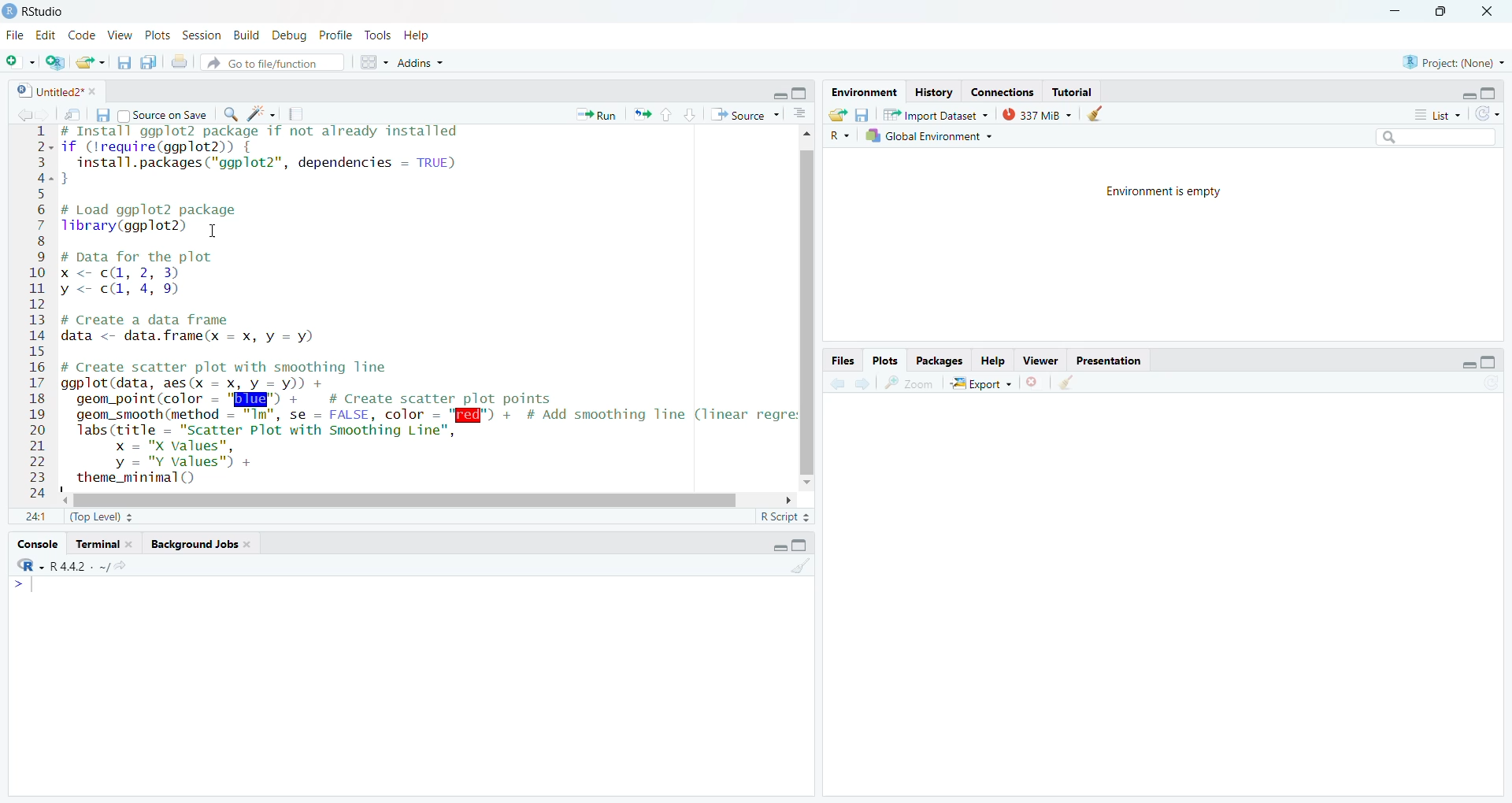 This screenshot has height=803, width=1512. Describe the element at coordinates (941, 117) in the screenshot. I see ` Import Dataset ~` at that location.